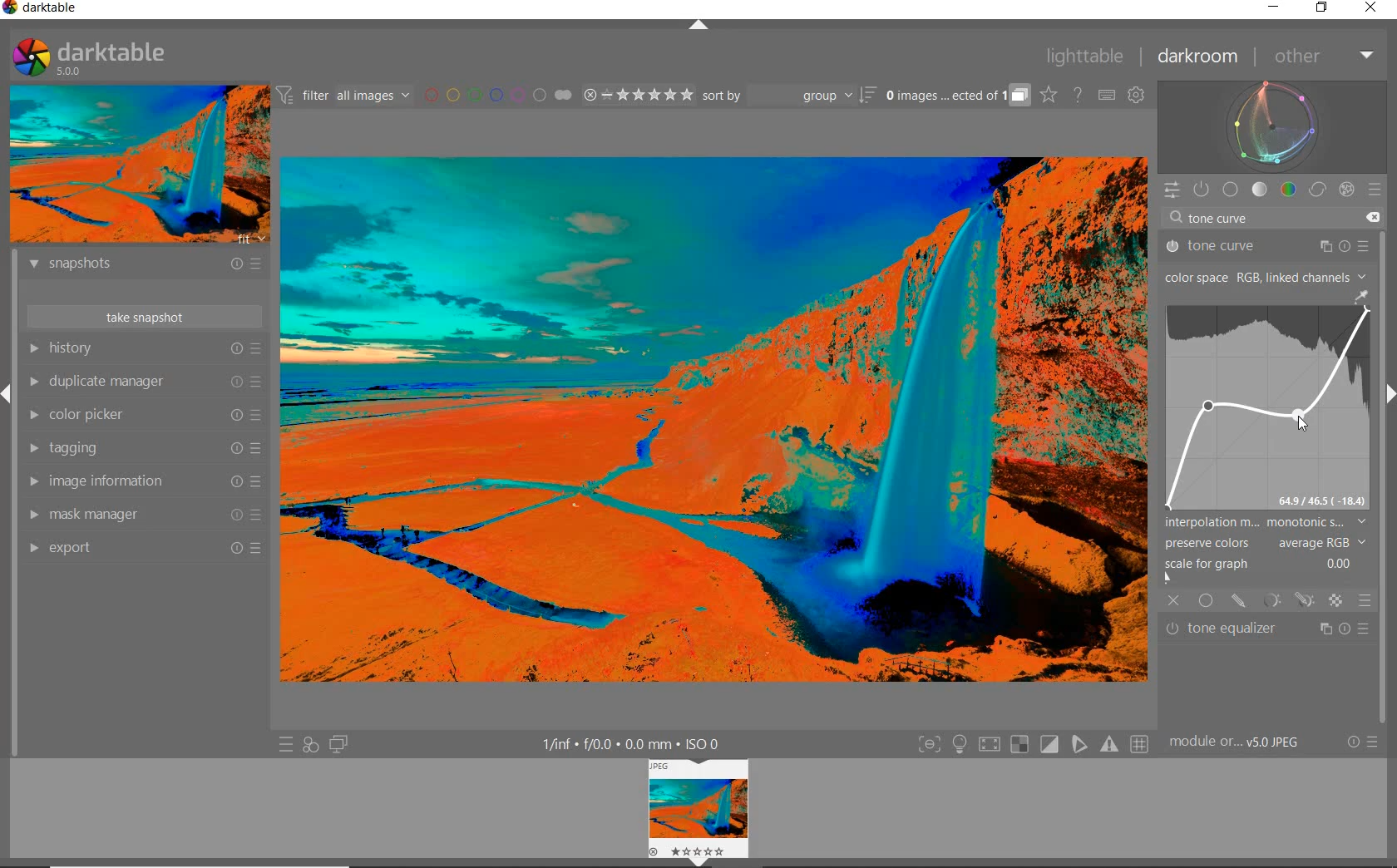 Image resolution: width=1397 pixels, height=868 pixels. What do you see at coordinates (144, 348) in the screenshot?
I see `history` at bounding box center [144, 348].